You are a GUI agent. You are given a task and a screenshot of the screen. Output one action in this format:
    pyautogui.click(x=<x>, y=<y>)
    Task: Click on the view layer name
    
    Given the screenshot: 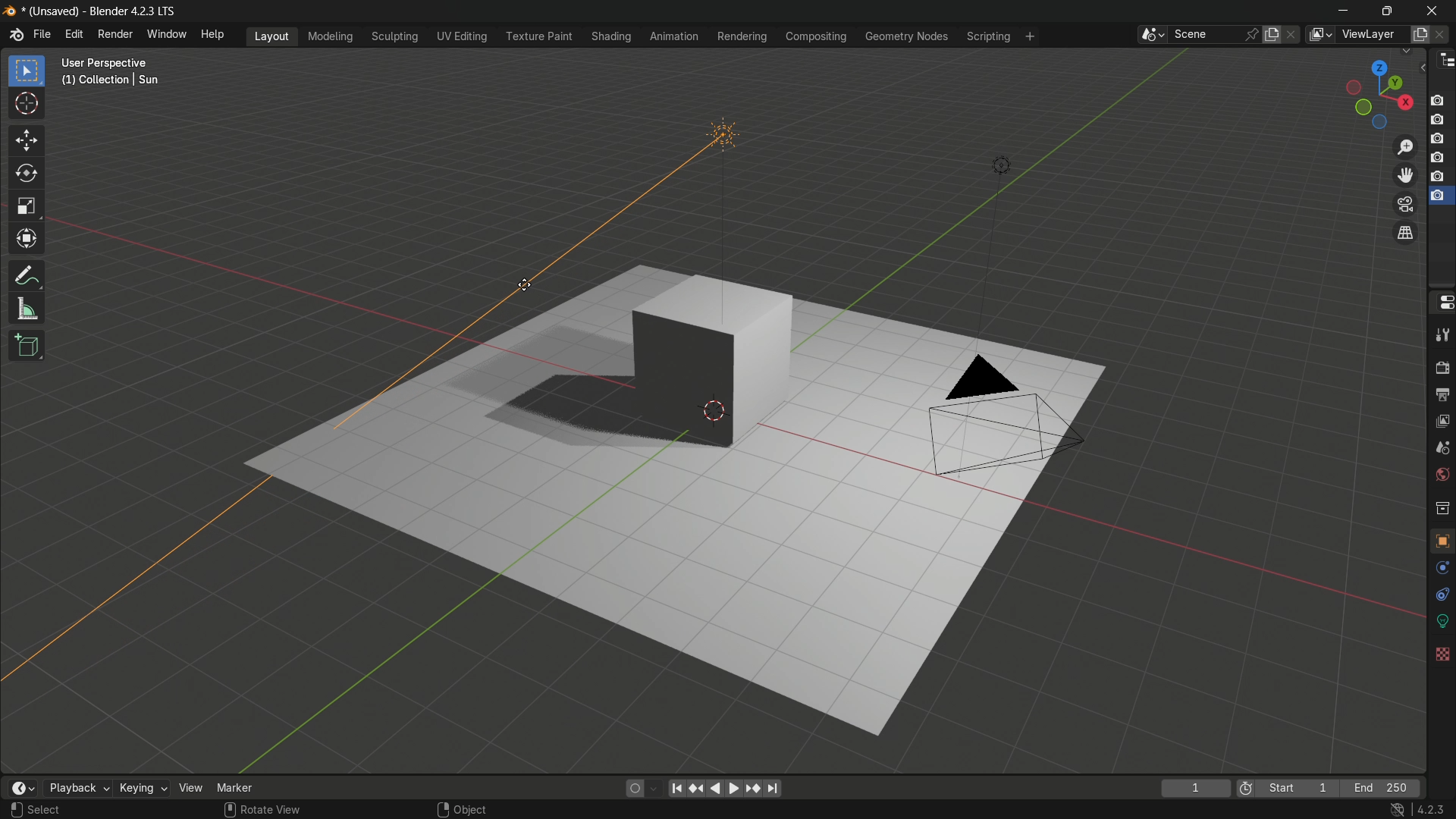 What is the action you would take?
    pyautogui.click(x=1373, y=35)
    